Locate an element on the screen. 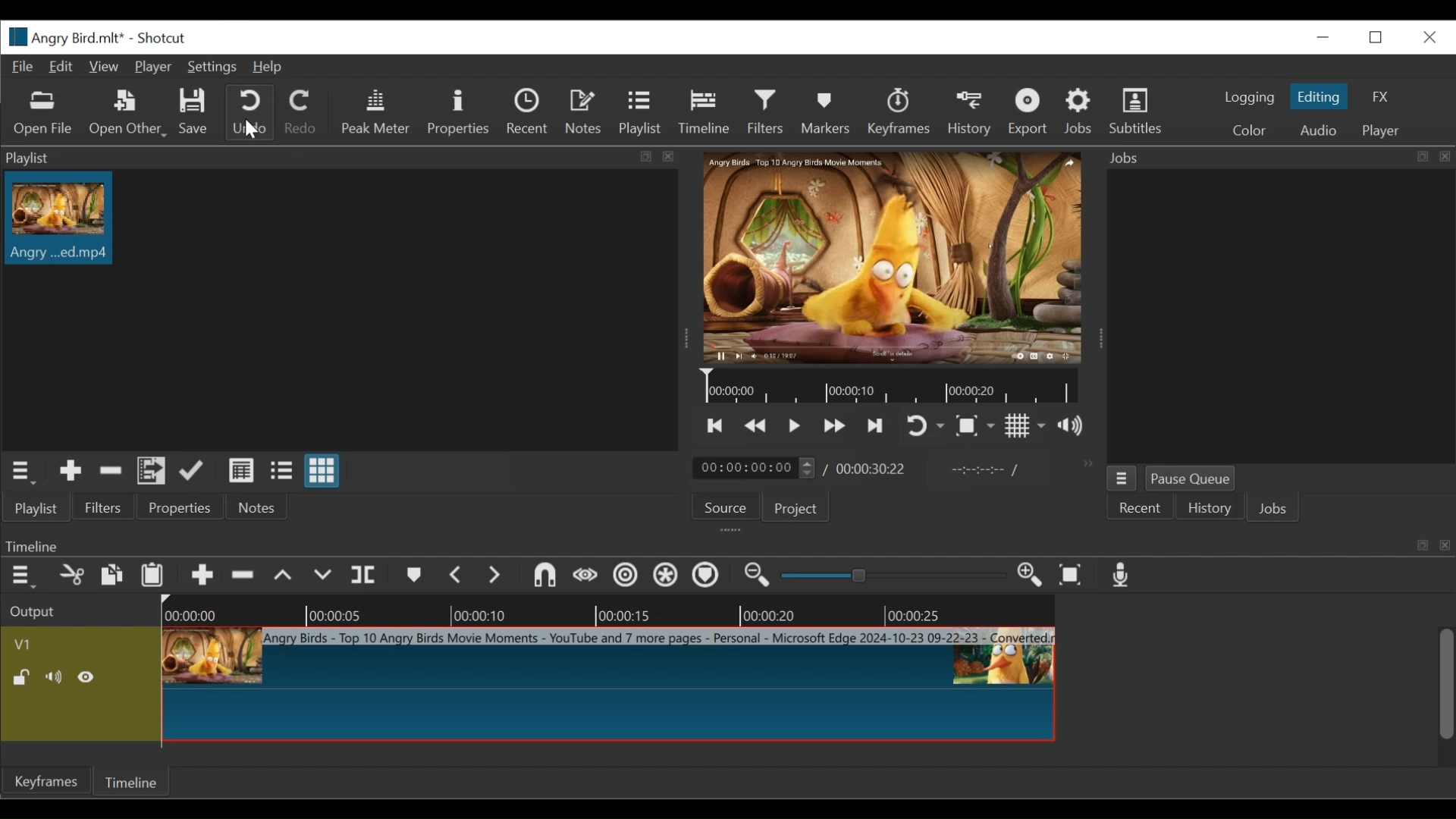 Image resolution: width=1456 pixels, height=819 pixels. File Name is located at coordinates (60, 36).